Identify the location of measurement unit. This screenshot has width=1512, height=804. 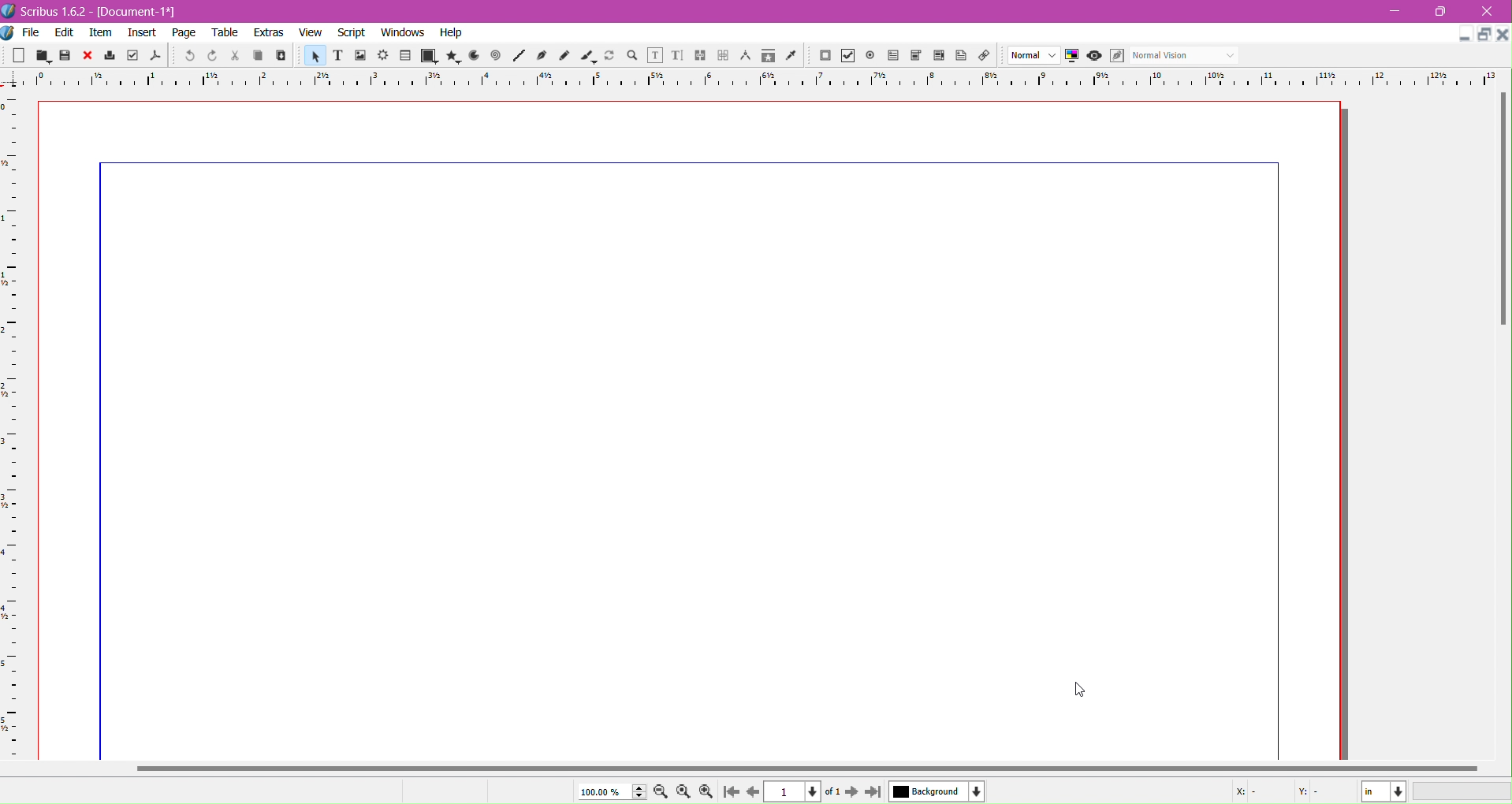
(1384, 791).